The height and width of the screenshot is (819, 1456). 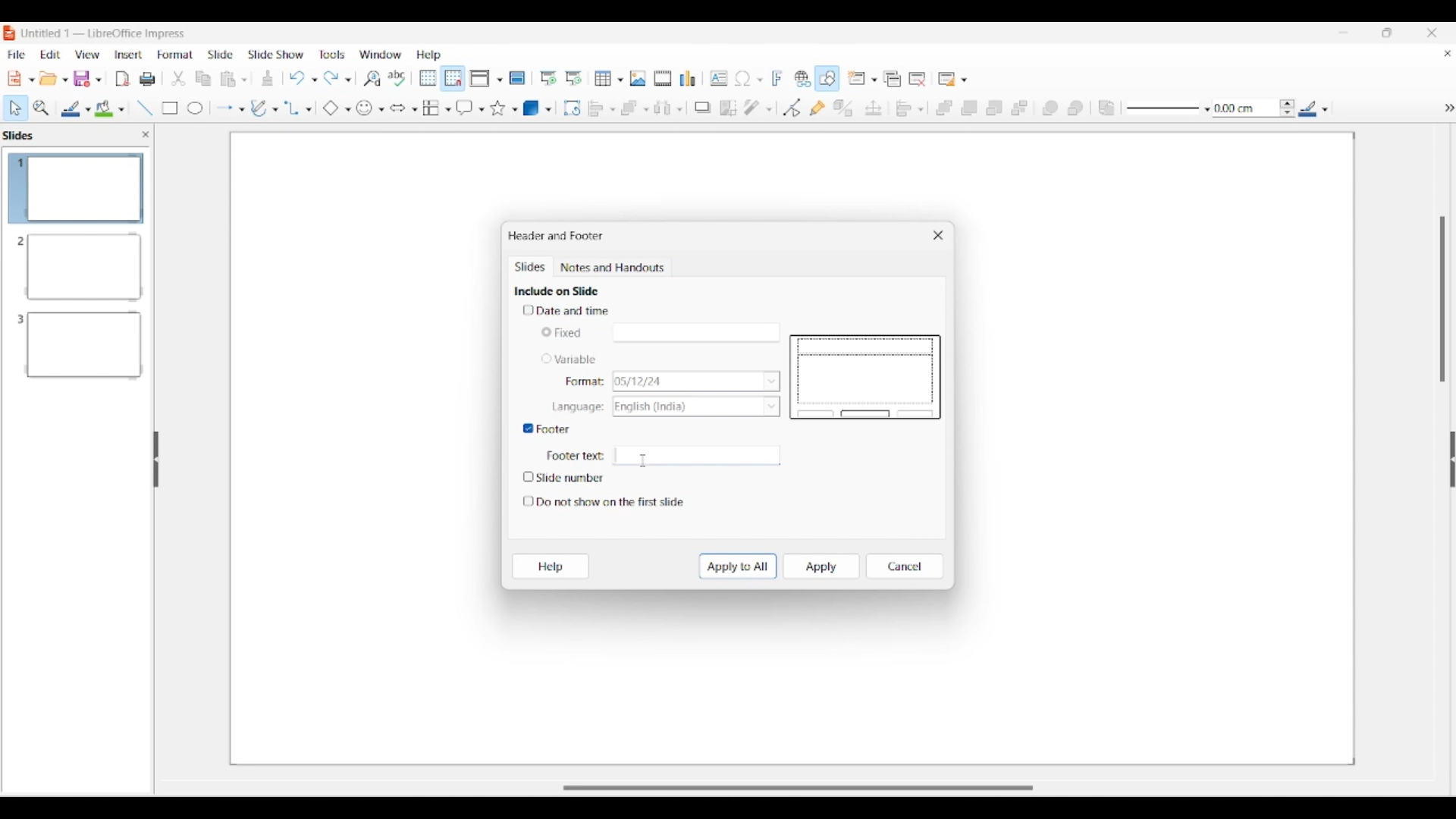 I want to click on Indicates language options, so click(x=576, y=408).